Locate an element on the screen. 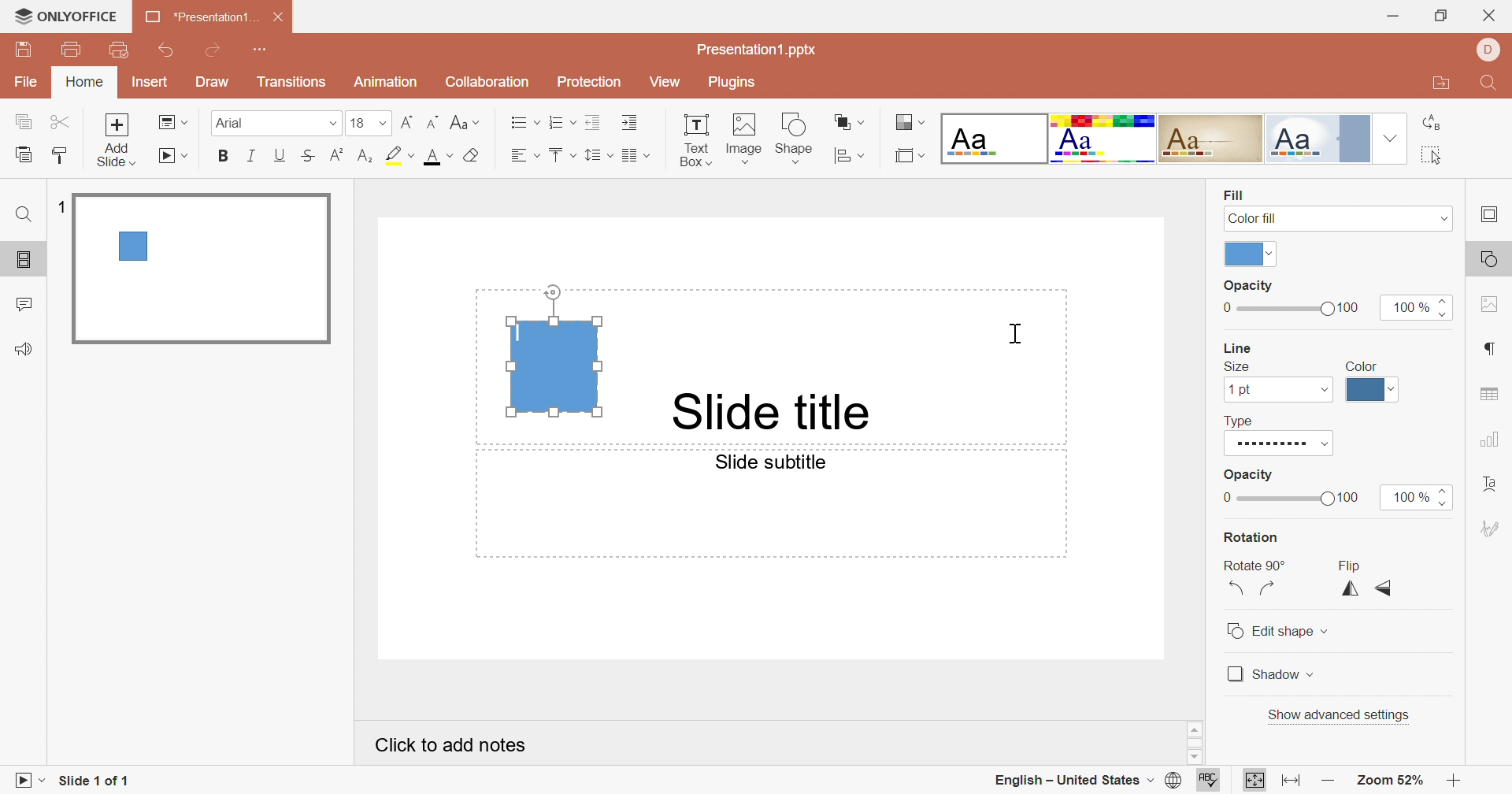 The width and height of the screenshot is (1512, 794). Draw is located at coordinates (217, 84).